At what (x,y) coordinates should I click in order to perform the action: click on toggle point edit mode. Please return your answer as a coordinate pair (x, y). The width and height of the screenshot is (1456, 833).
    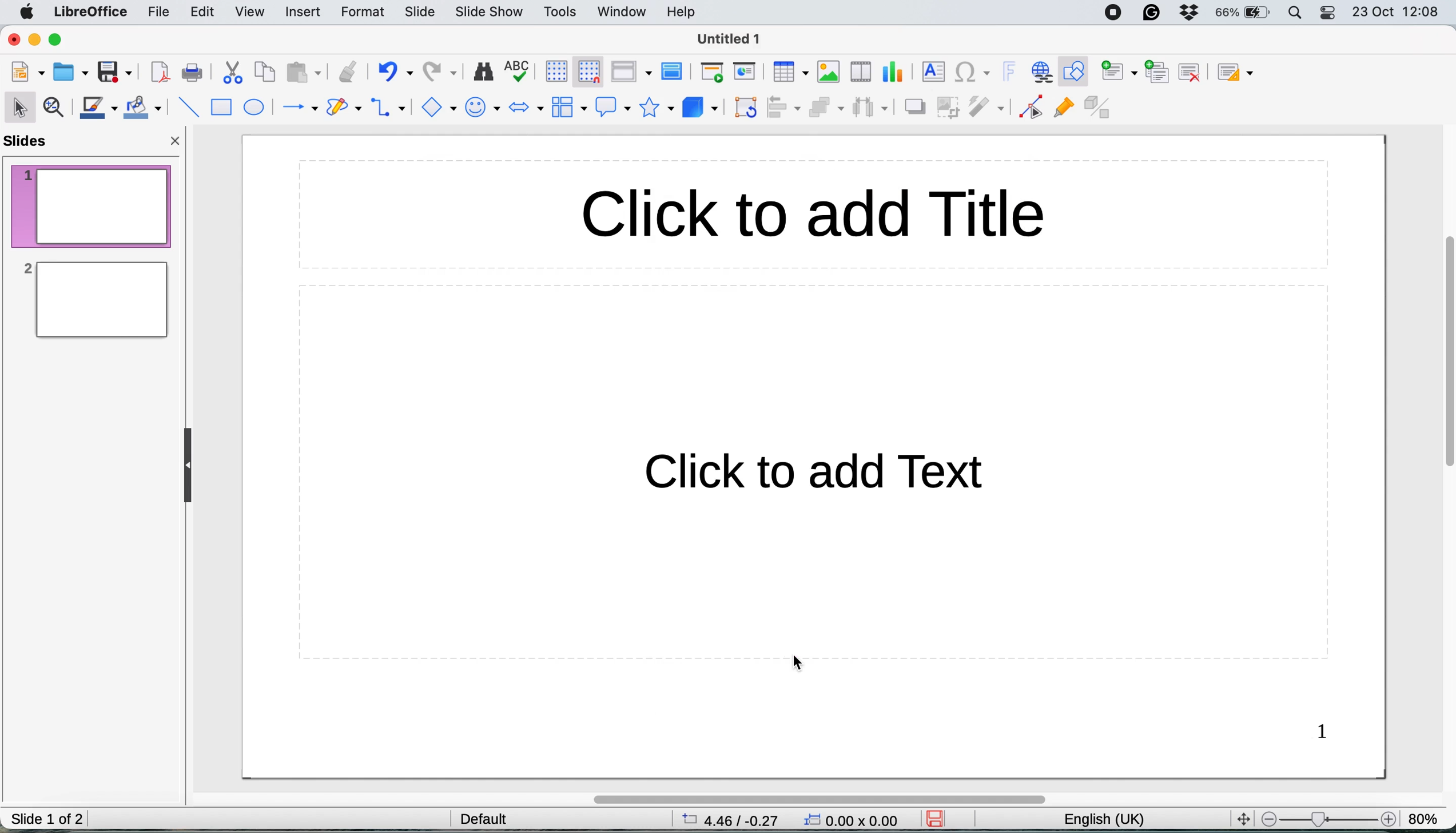
    Looking at the image, I should click on (1031, 110).